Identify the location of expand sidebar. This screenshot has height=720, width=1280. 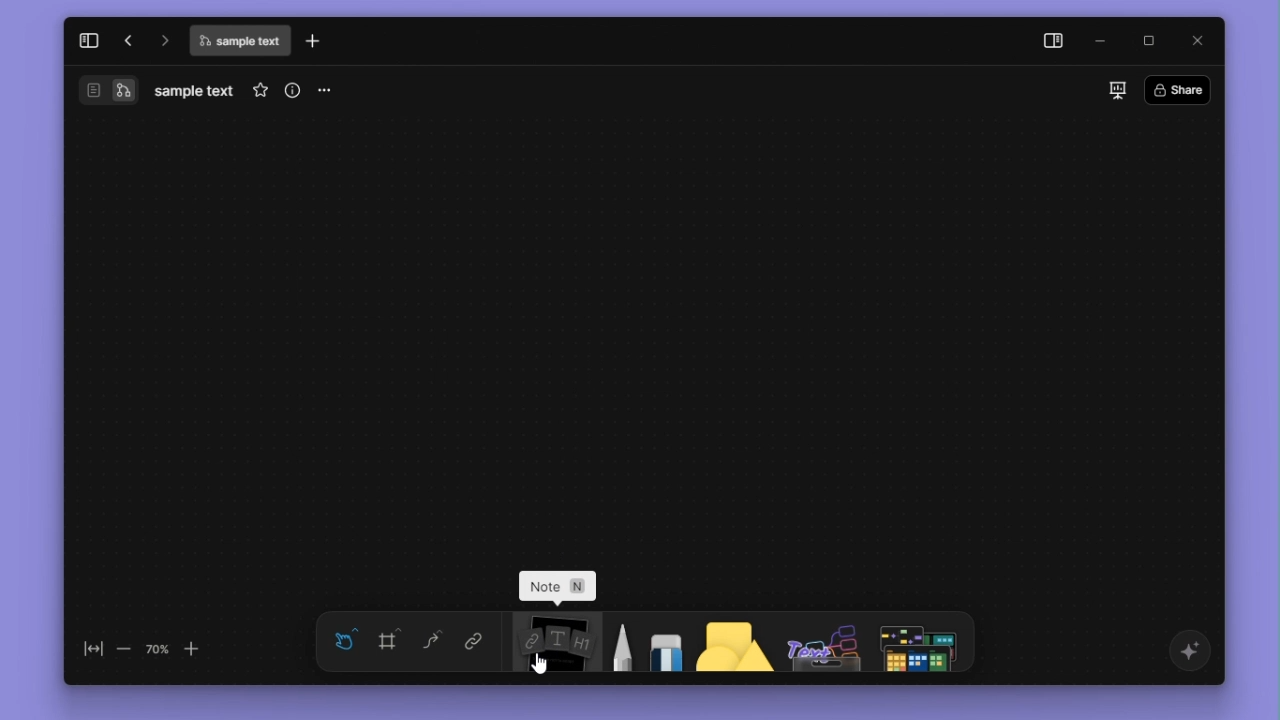
(87, 38).